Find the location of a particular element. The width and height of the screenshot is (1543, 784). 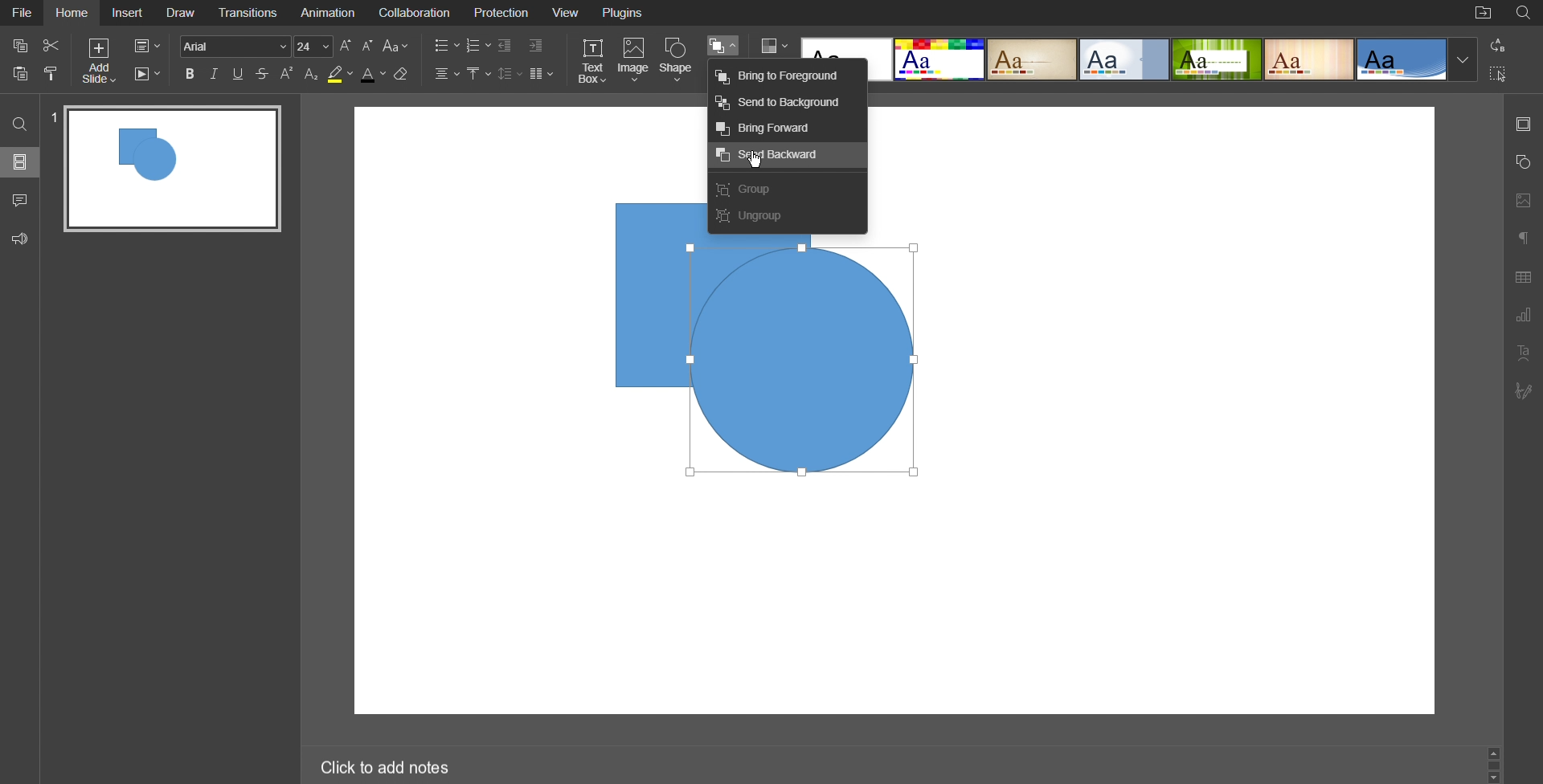

Highlight Color is located at coordinates (341, 73).